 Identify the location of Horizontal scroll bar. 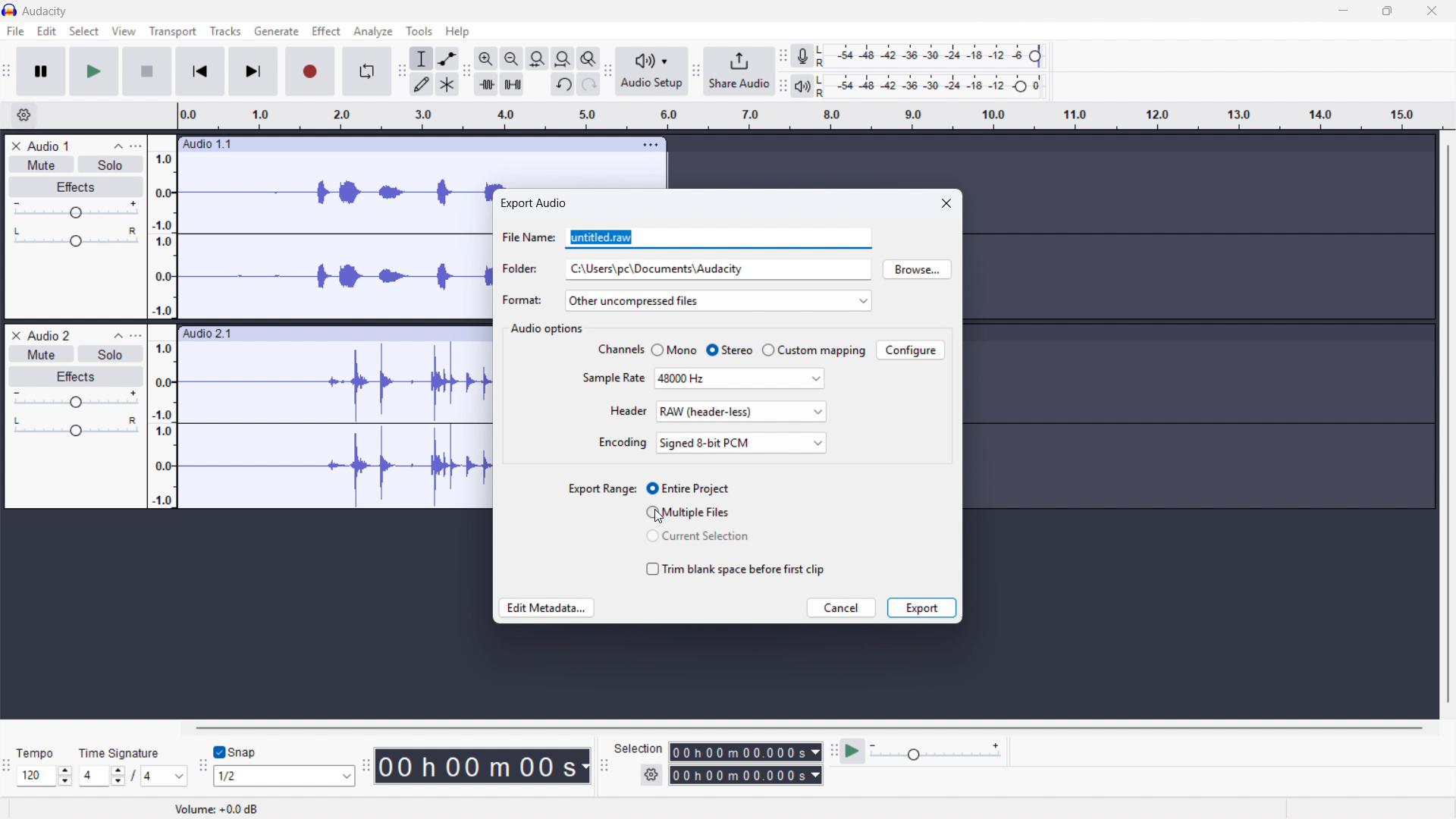
(810, 728).